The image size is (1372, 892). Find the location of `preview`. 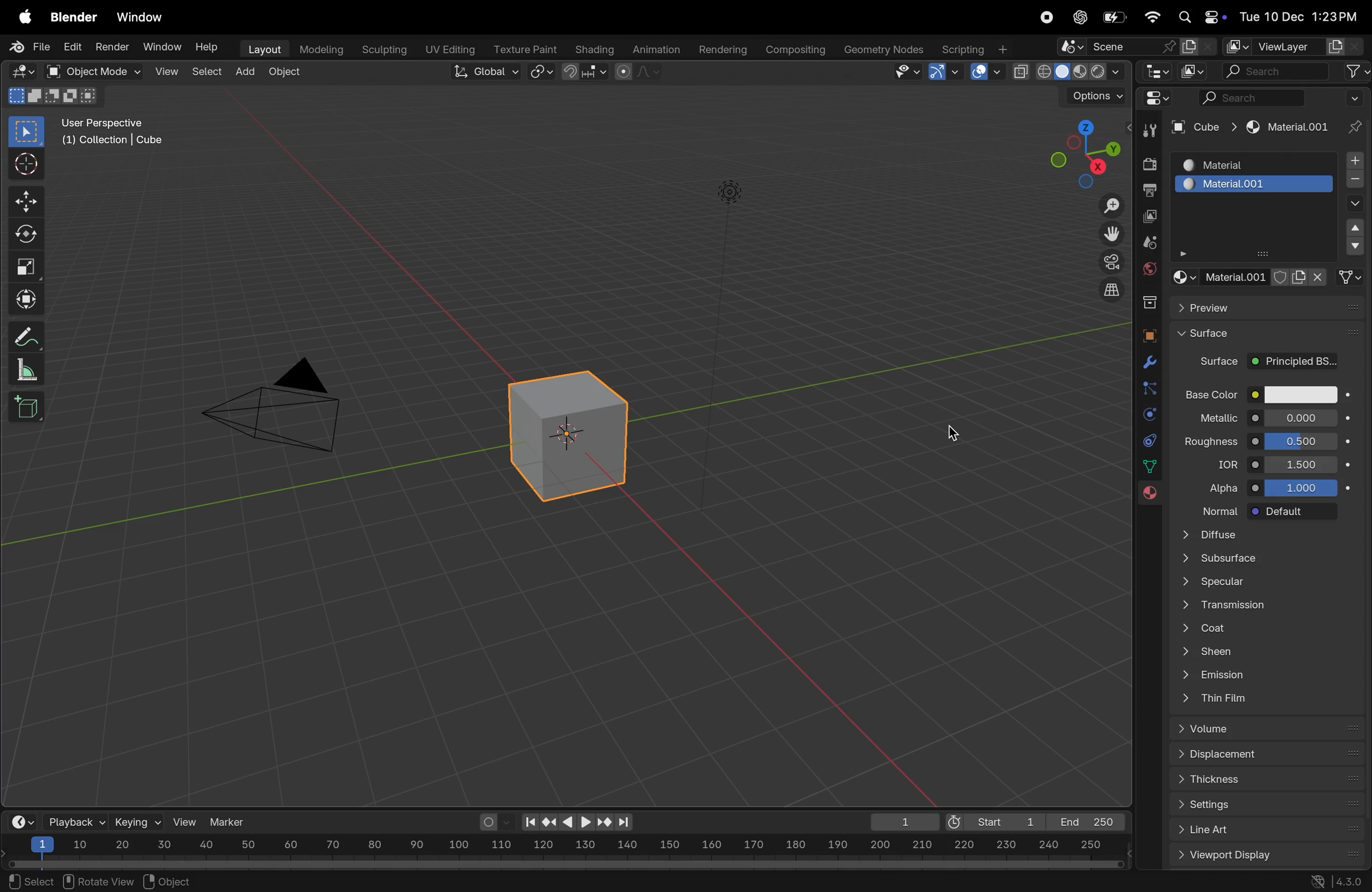

preview is located at coordinates (1272, 307).